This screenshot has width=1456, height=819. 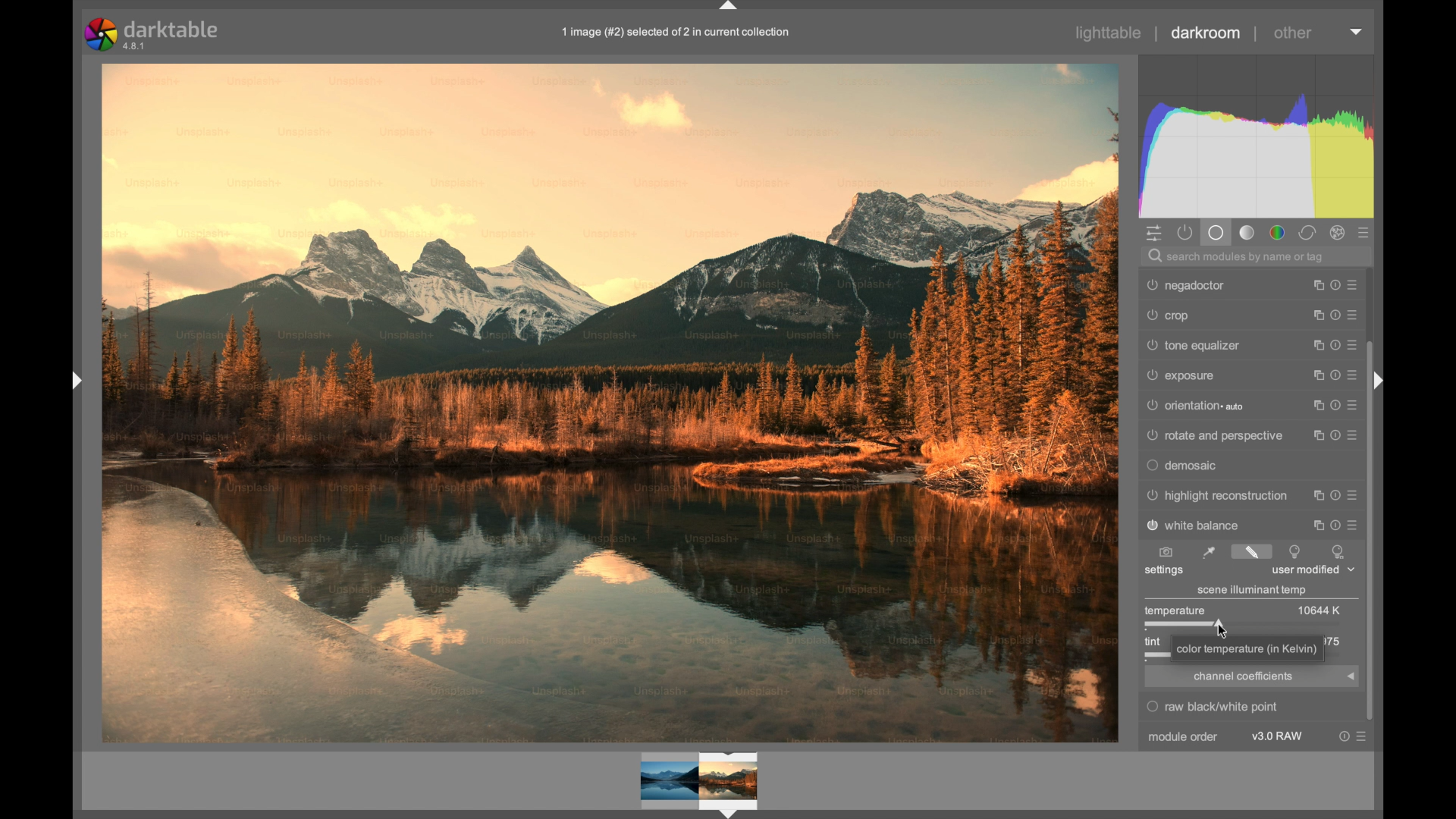 What do you see at coordinates (1295, 33) in the screenshot?
I see `other` at bounding box center [1295, 33].